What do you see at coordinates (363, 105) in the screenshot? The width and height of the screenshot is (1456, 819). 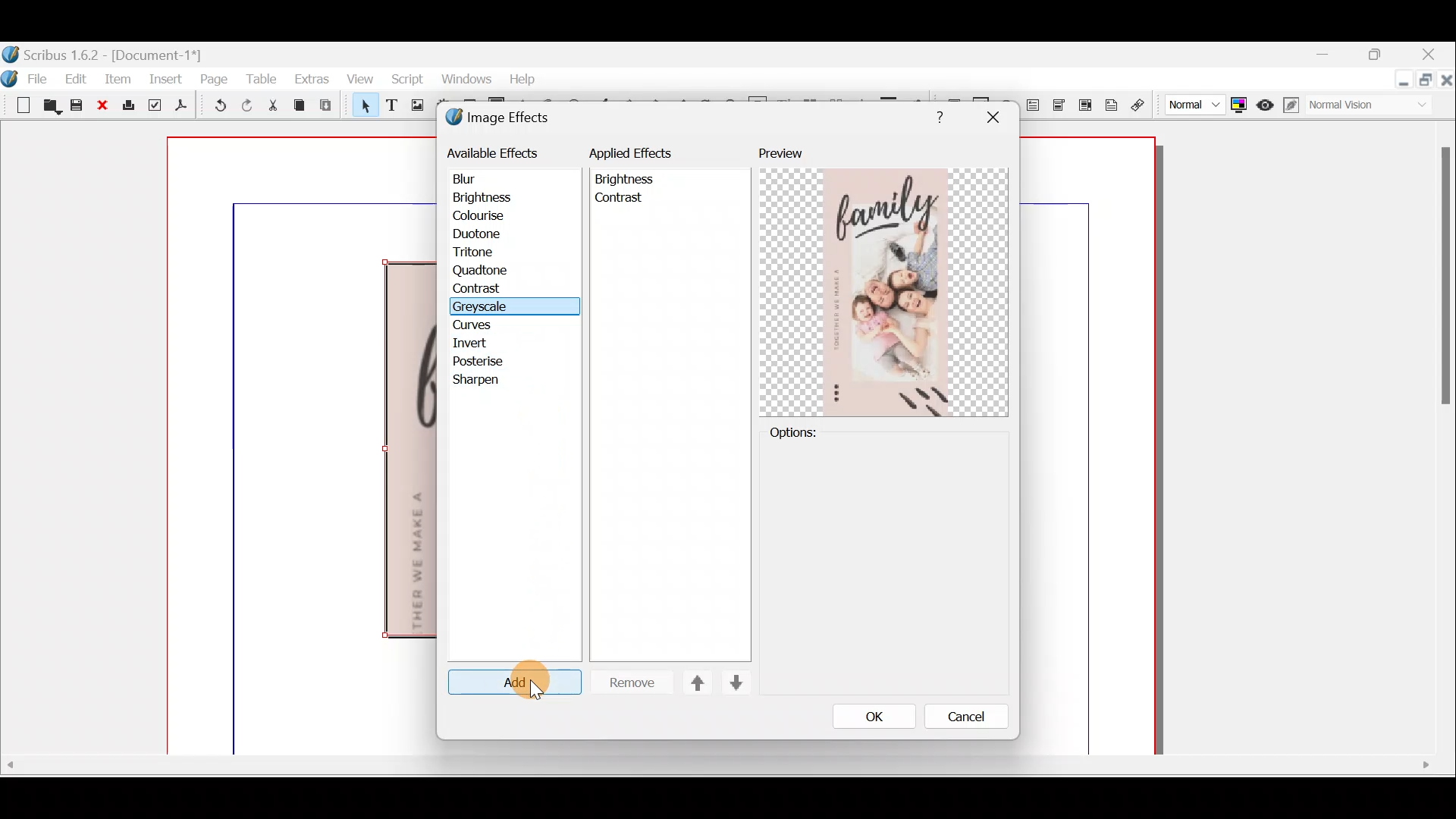 I see `Select item` at bounding box center [363, 105].